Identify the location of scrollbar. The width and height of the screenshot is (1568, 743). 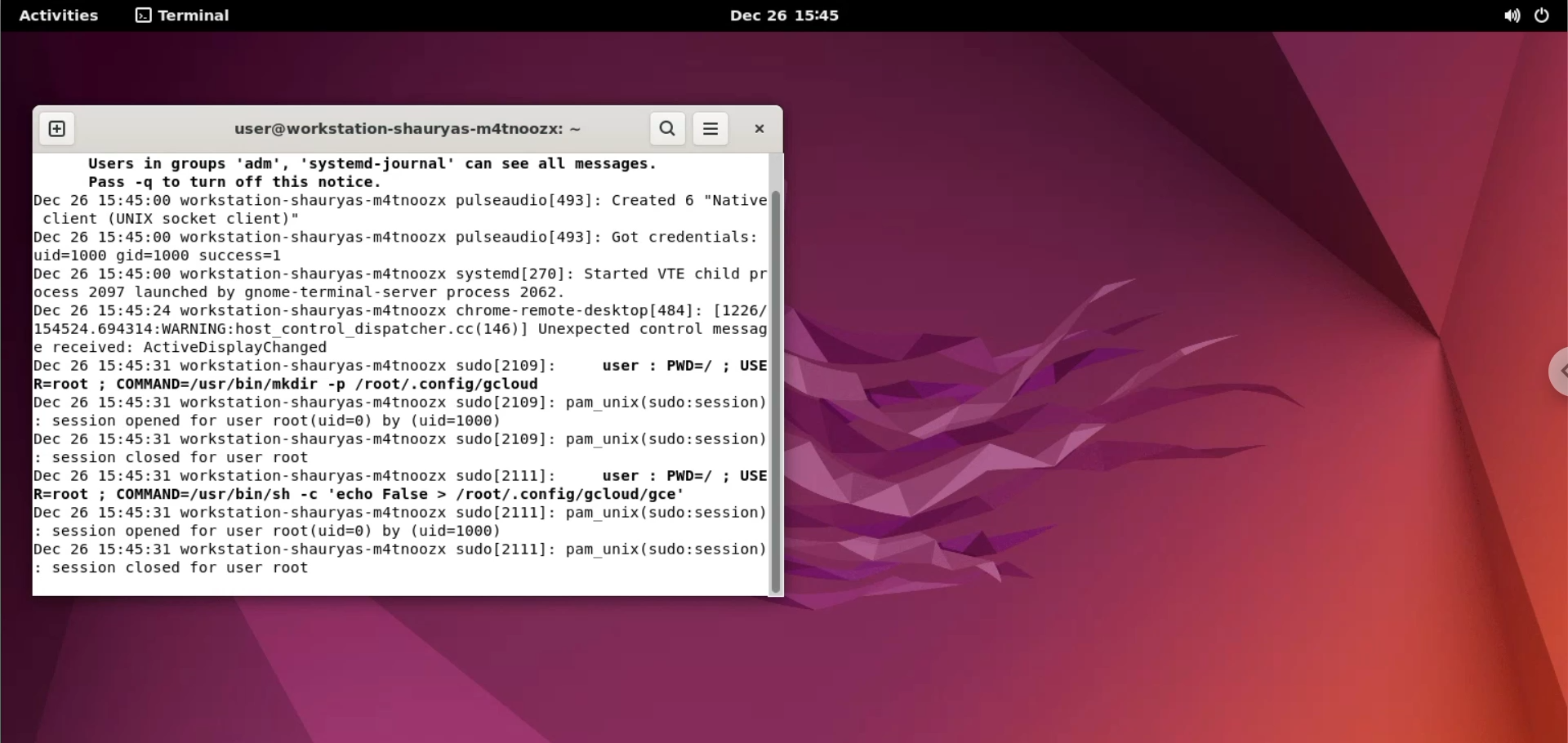
(777, 376).